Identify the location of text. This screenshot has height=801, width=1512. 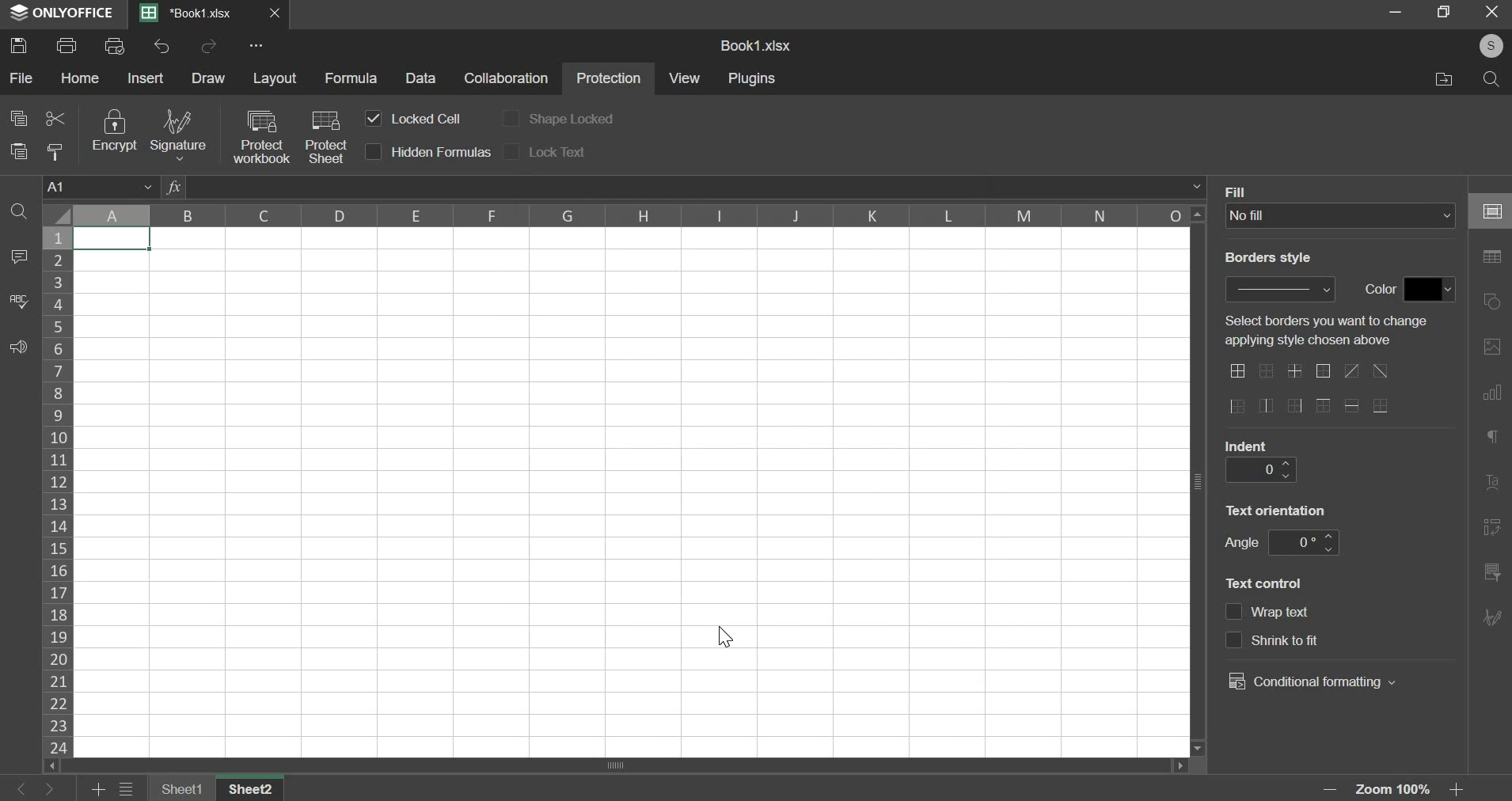
(1278, 508).